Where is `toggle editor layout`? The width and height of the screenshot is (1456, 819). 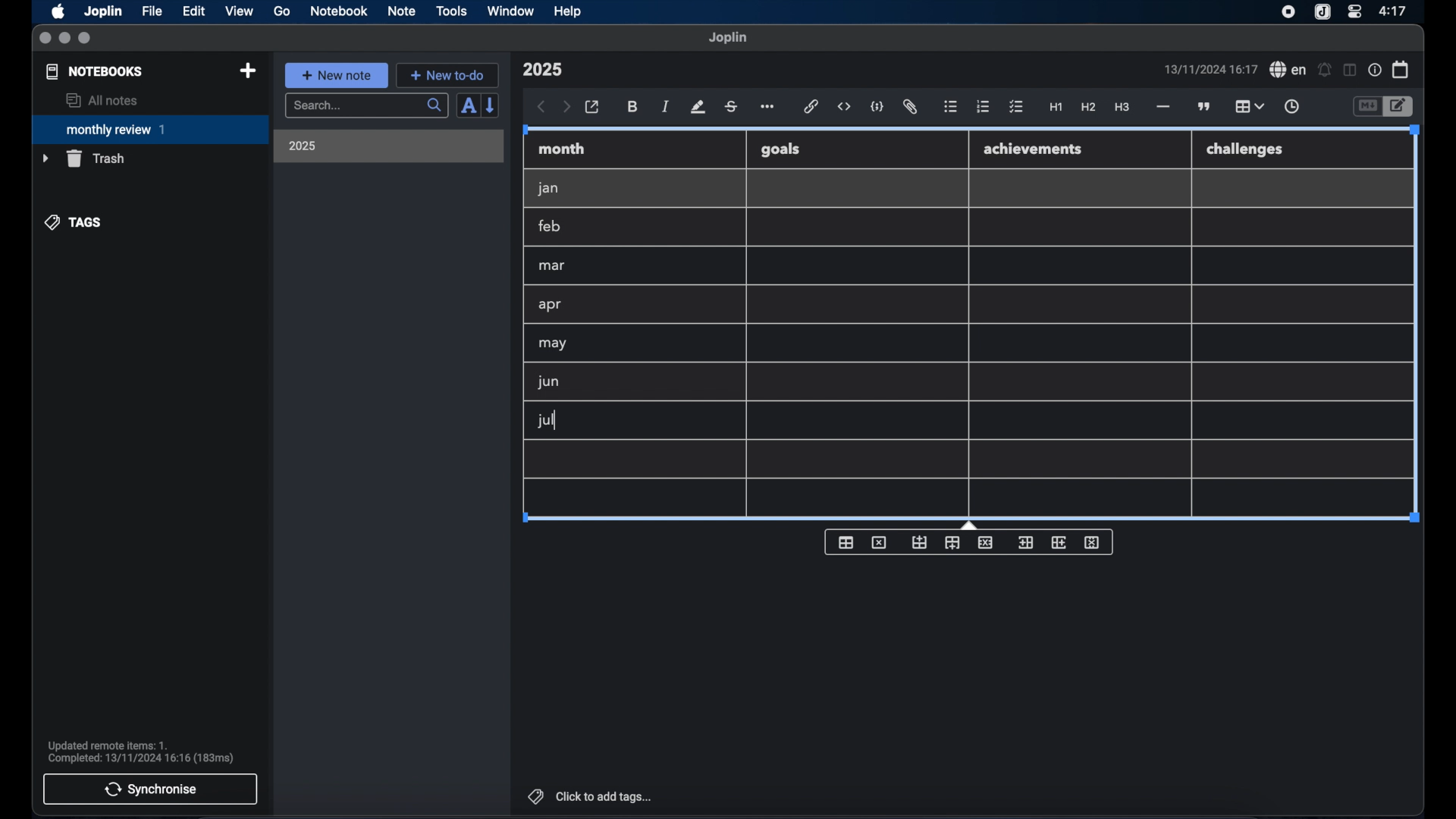 toggle editor layout is located at coordinates (1351, 70).